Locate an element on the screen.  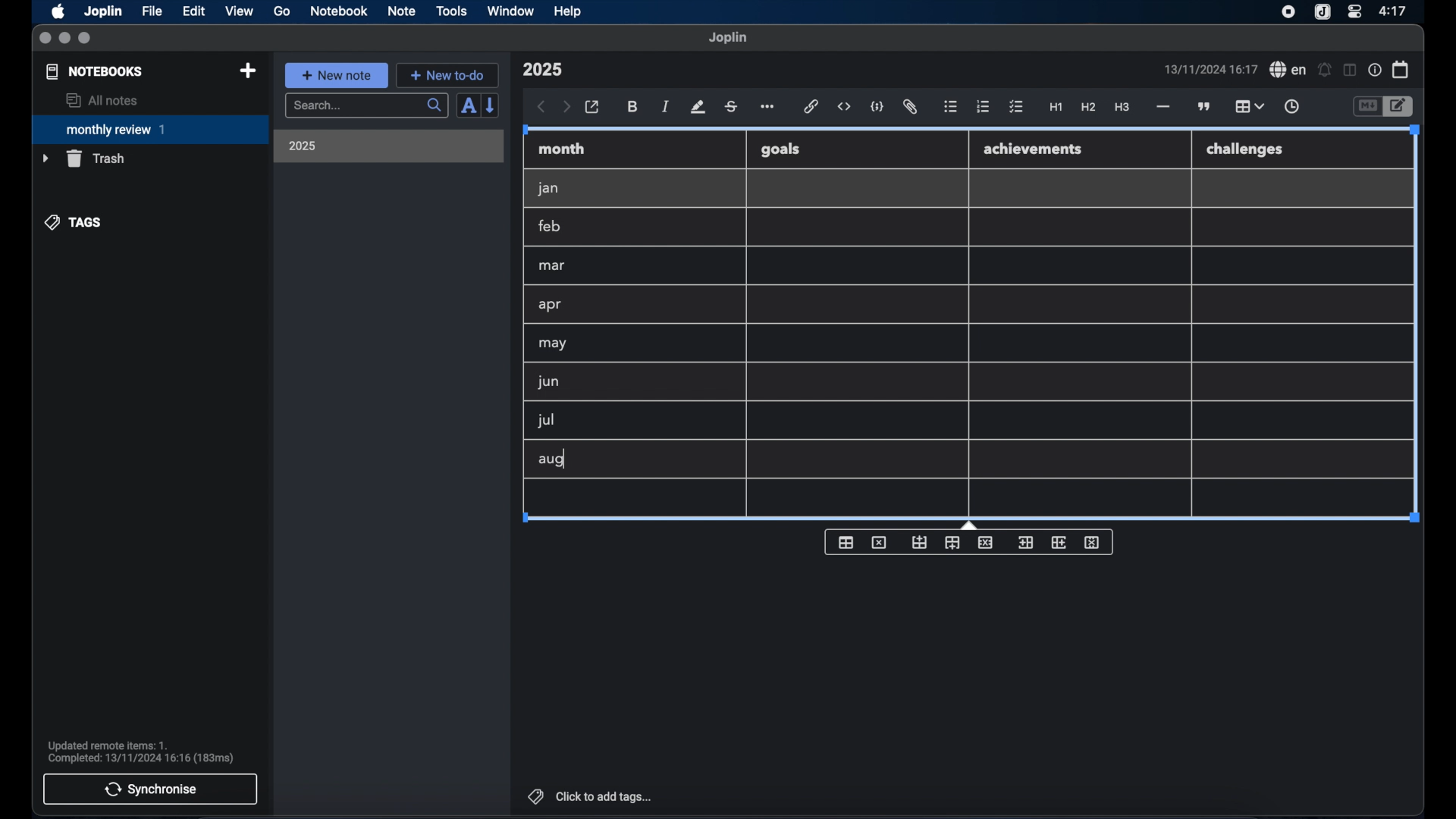
heading 1 is located at coordinates (1056, 108).